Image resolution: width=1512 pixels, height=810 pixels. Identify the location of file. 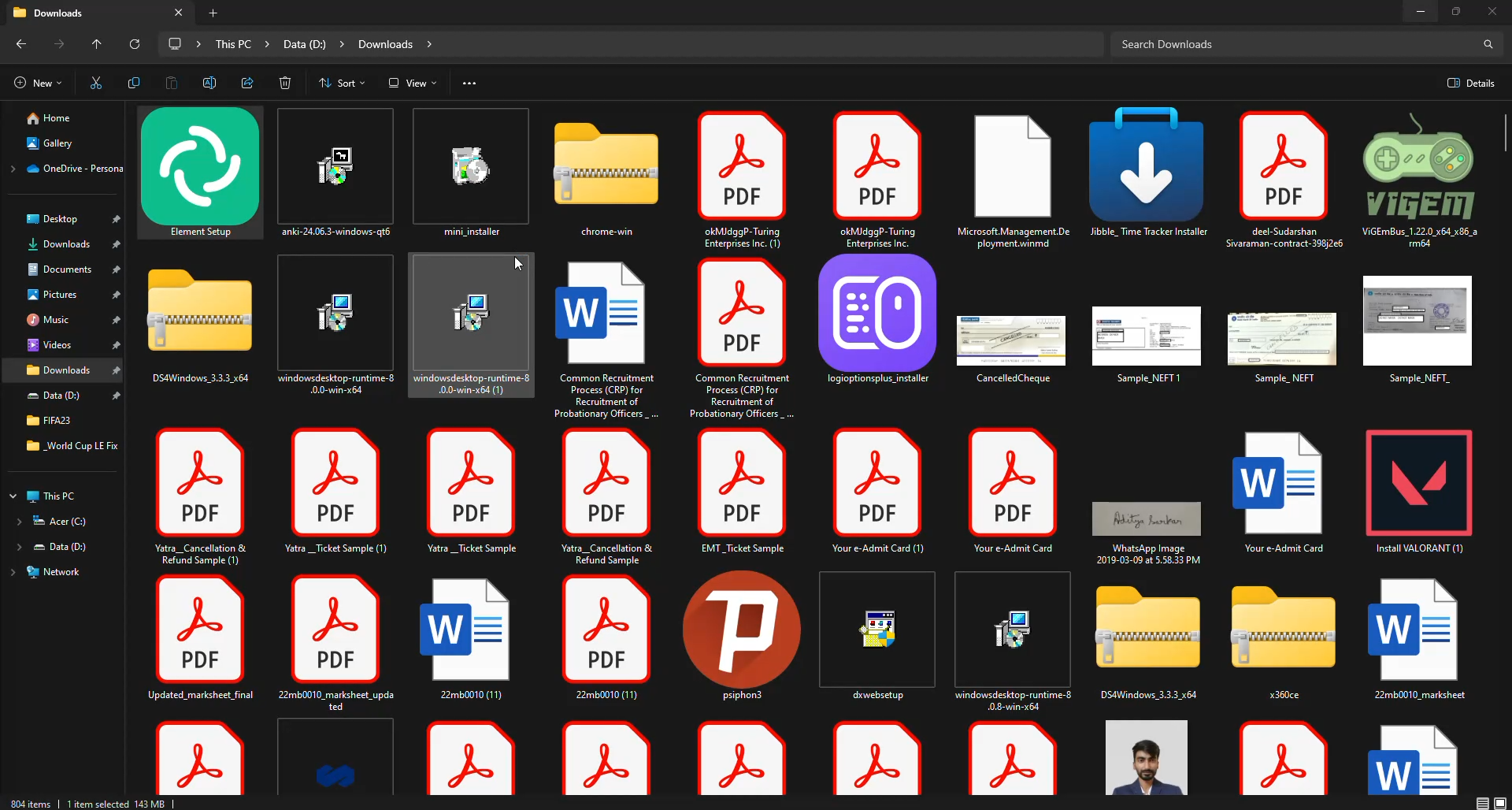
(878, 634).